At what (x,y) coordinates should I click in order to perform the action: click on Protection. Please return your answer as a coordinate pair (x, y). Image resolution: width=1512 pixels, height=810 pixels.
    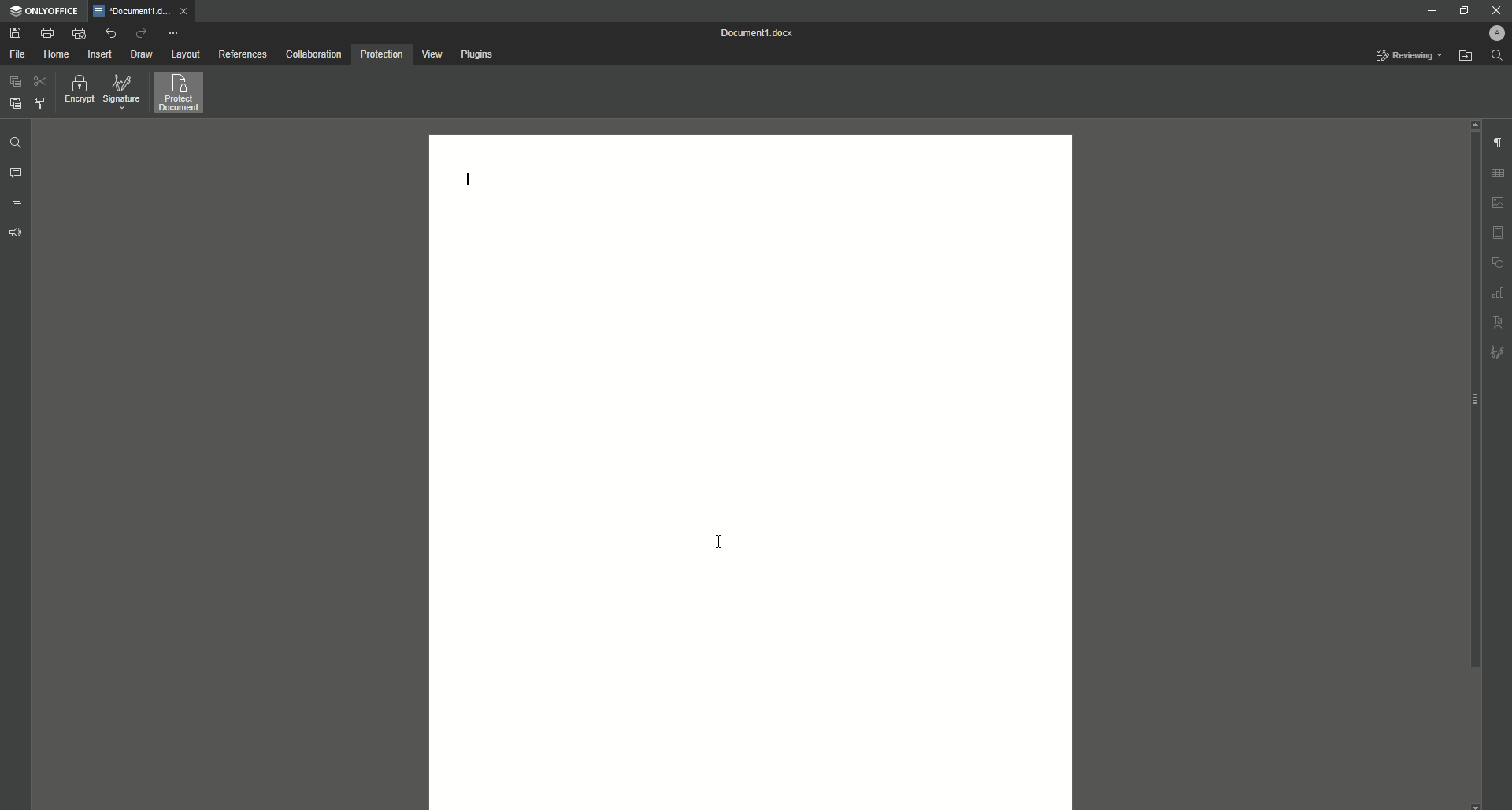
    Looking at the image, I should click on (381, 55).